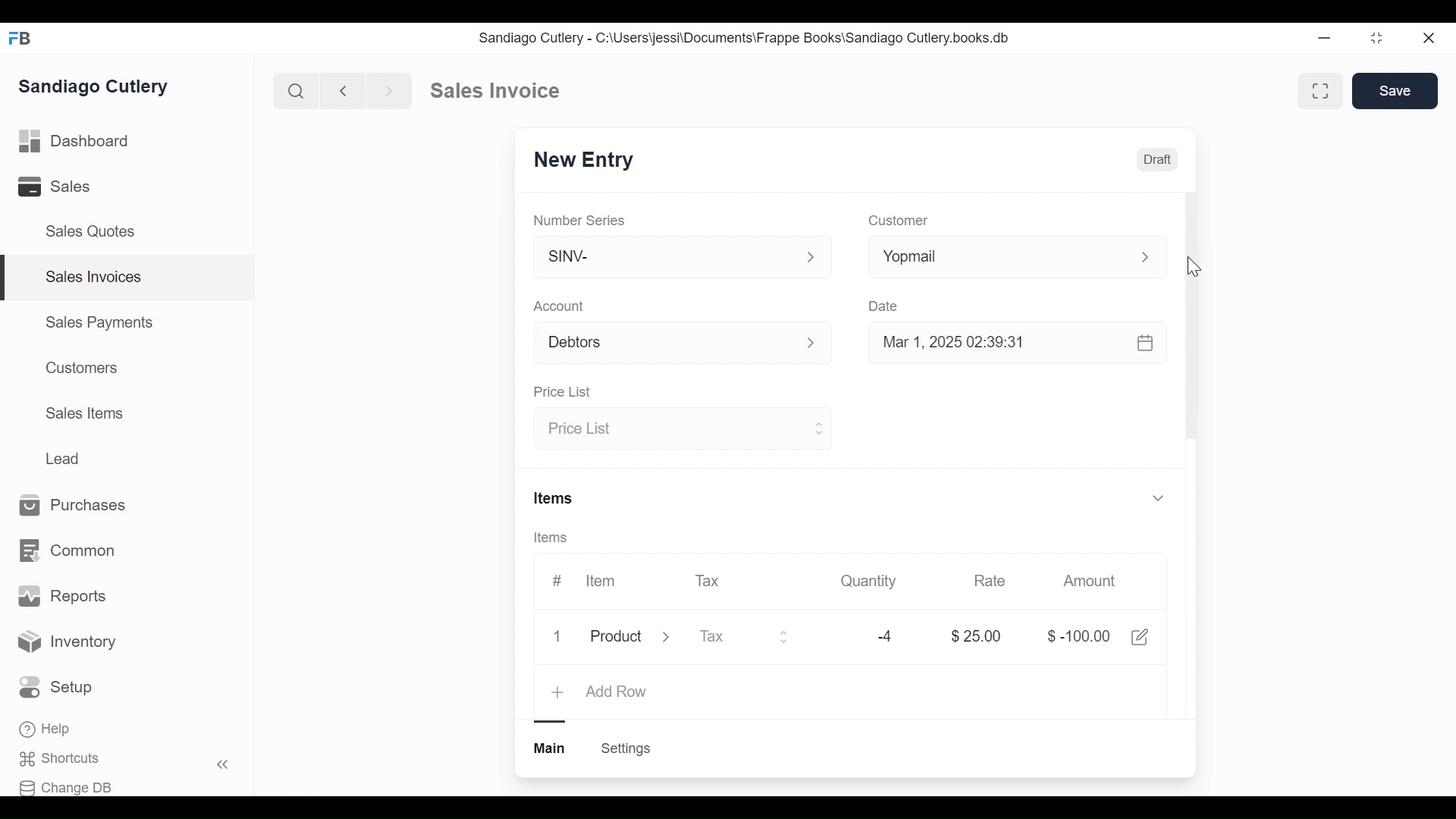  I want to click on Toggle between form and full width, so click(1321, 91).